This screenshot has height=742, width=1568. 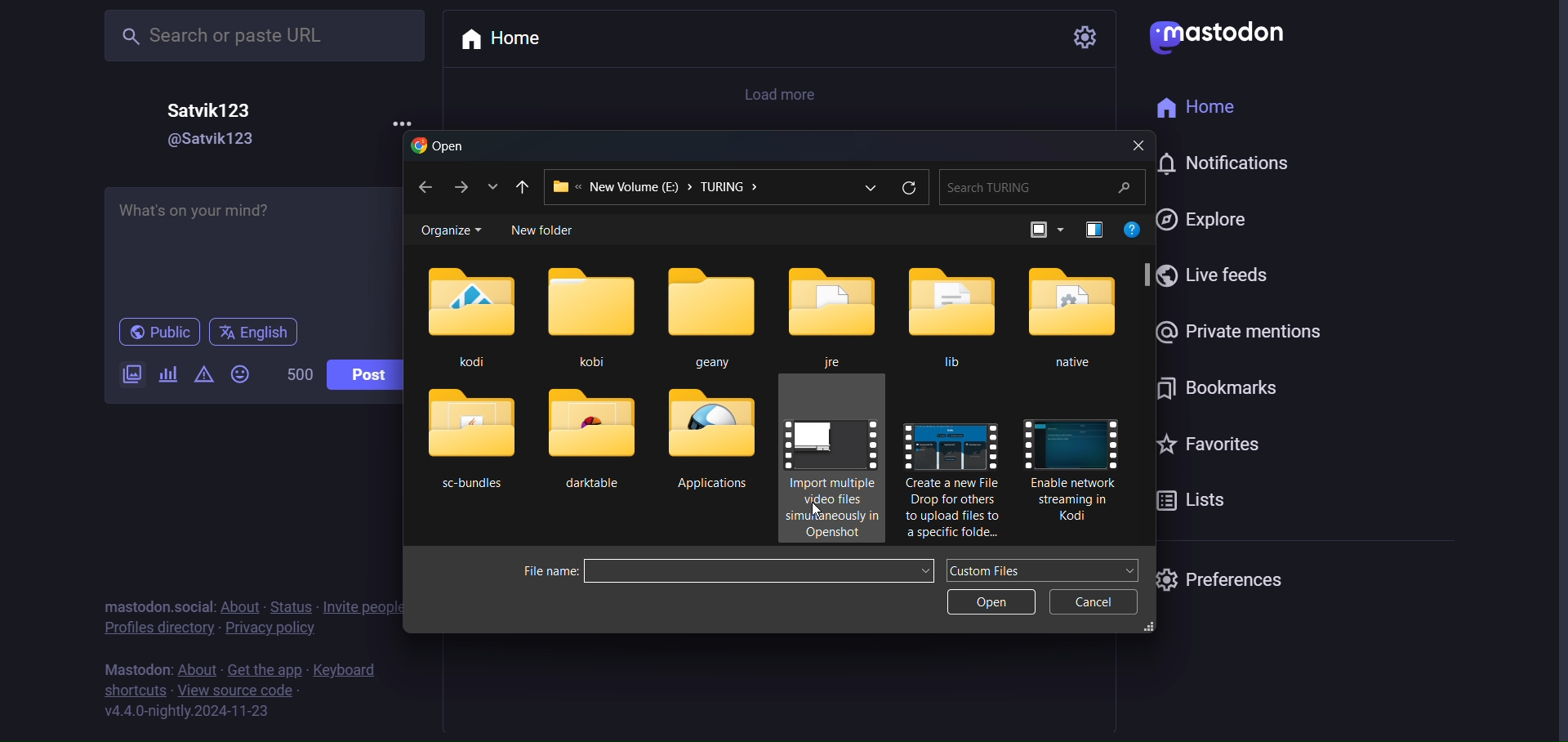 What do you see at coordinates (158, 333) in the screenshot?
I see `public` at bounding box center [158, 333].